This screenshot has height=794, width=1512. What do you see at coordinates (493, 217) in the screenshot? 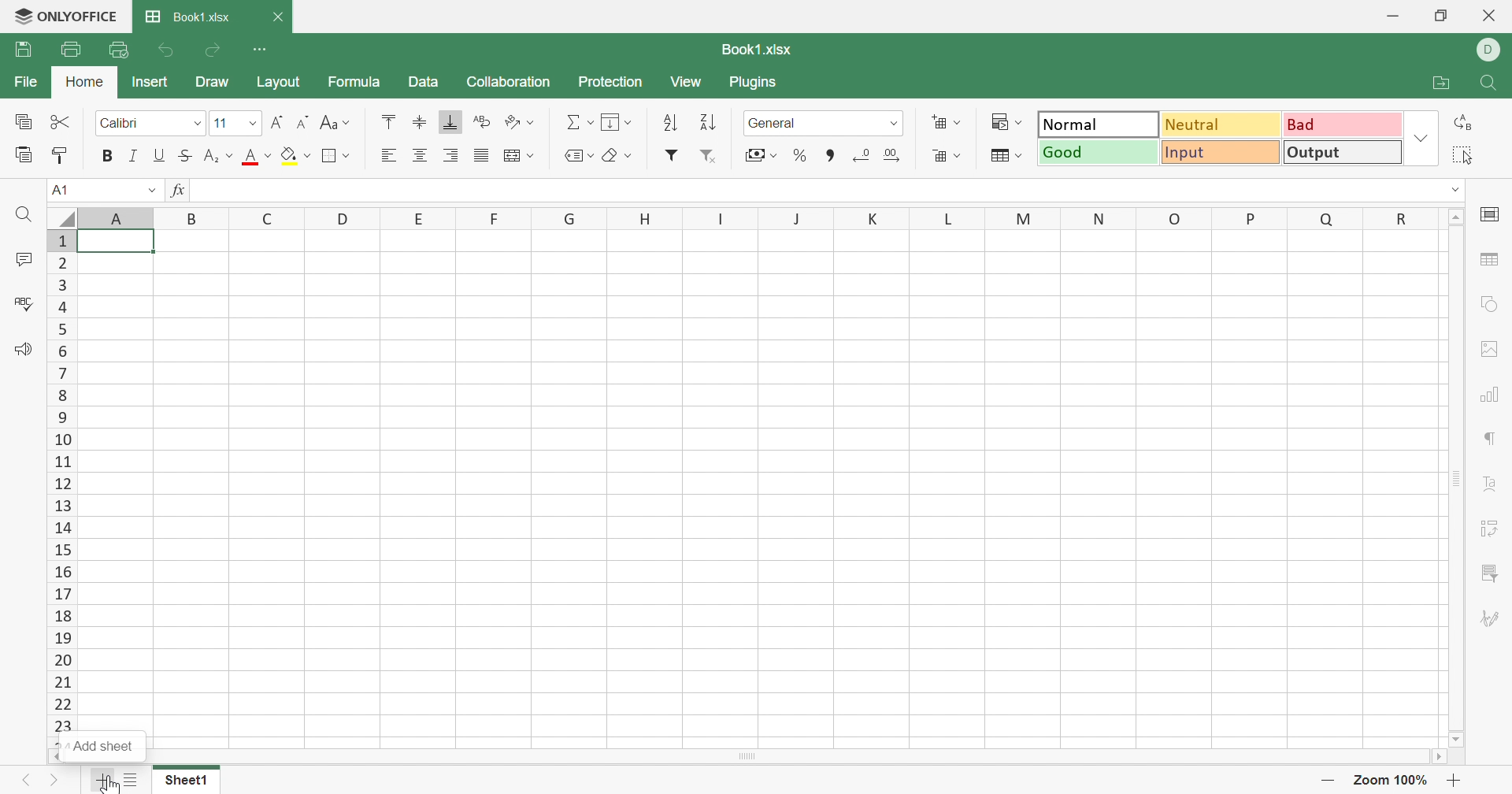
I see `F` at bounding box center [493, 217].